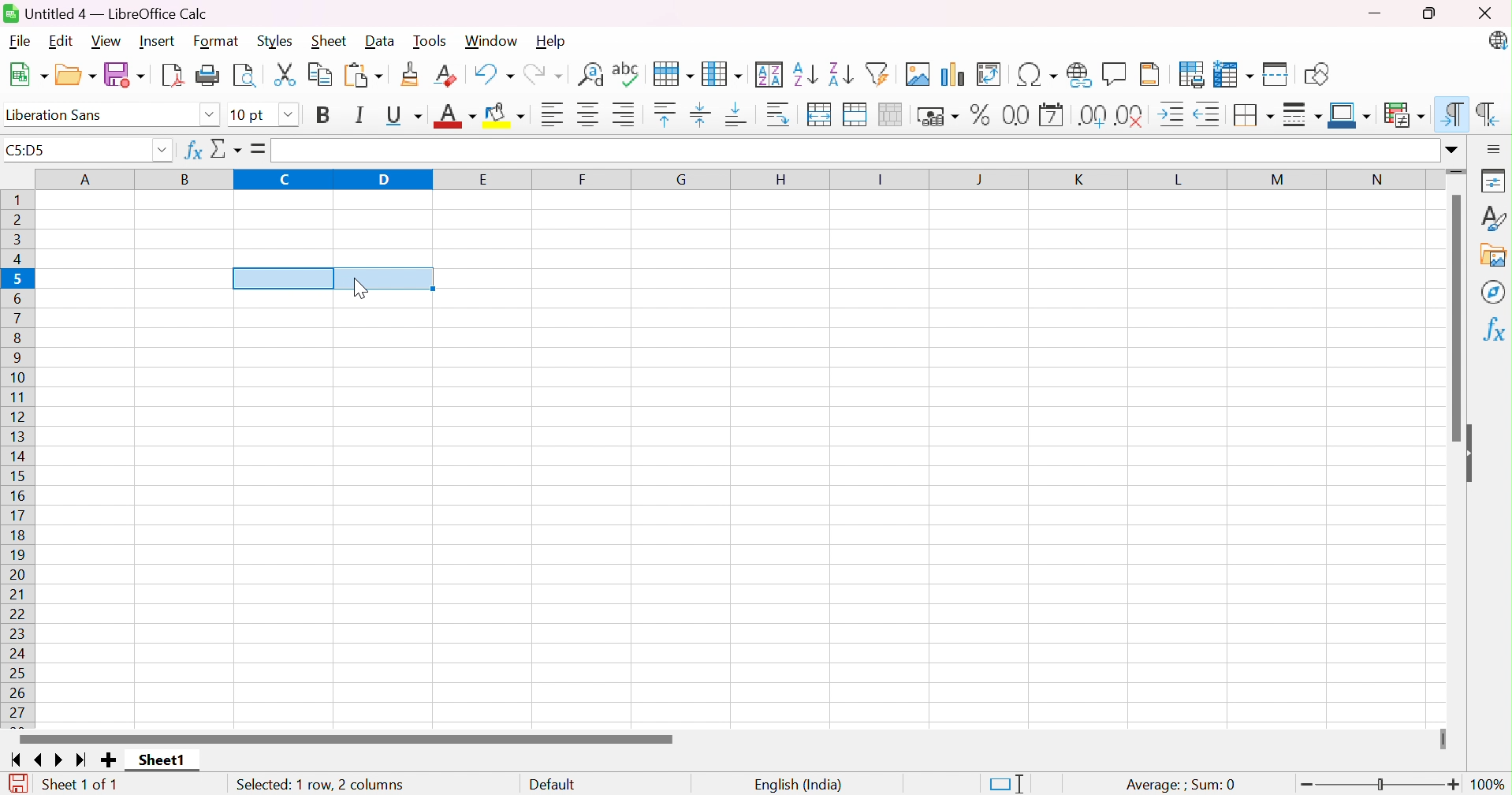 The image size is (1512, 795). I want to click on 10 pt, so click(249, 114).